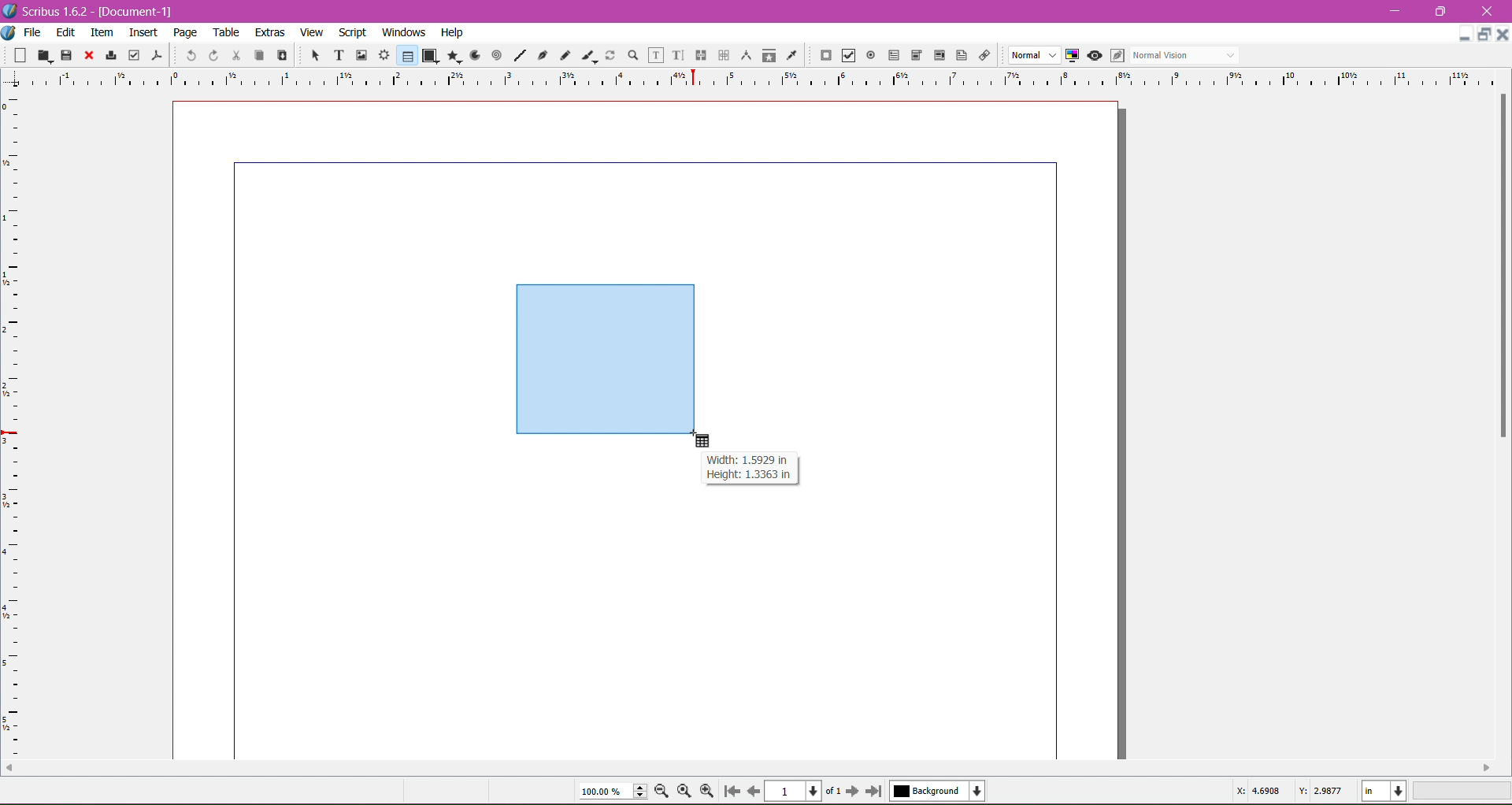  I want to click on PDF Radio Button, so click(868, 57).